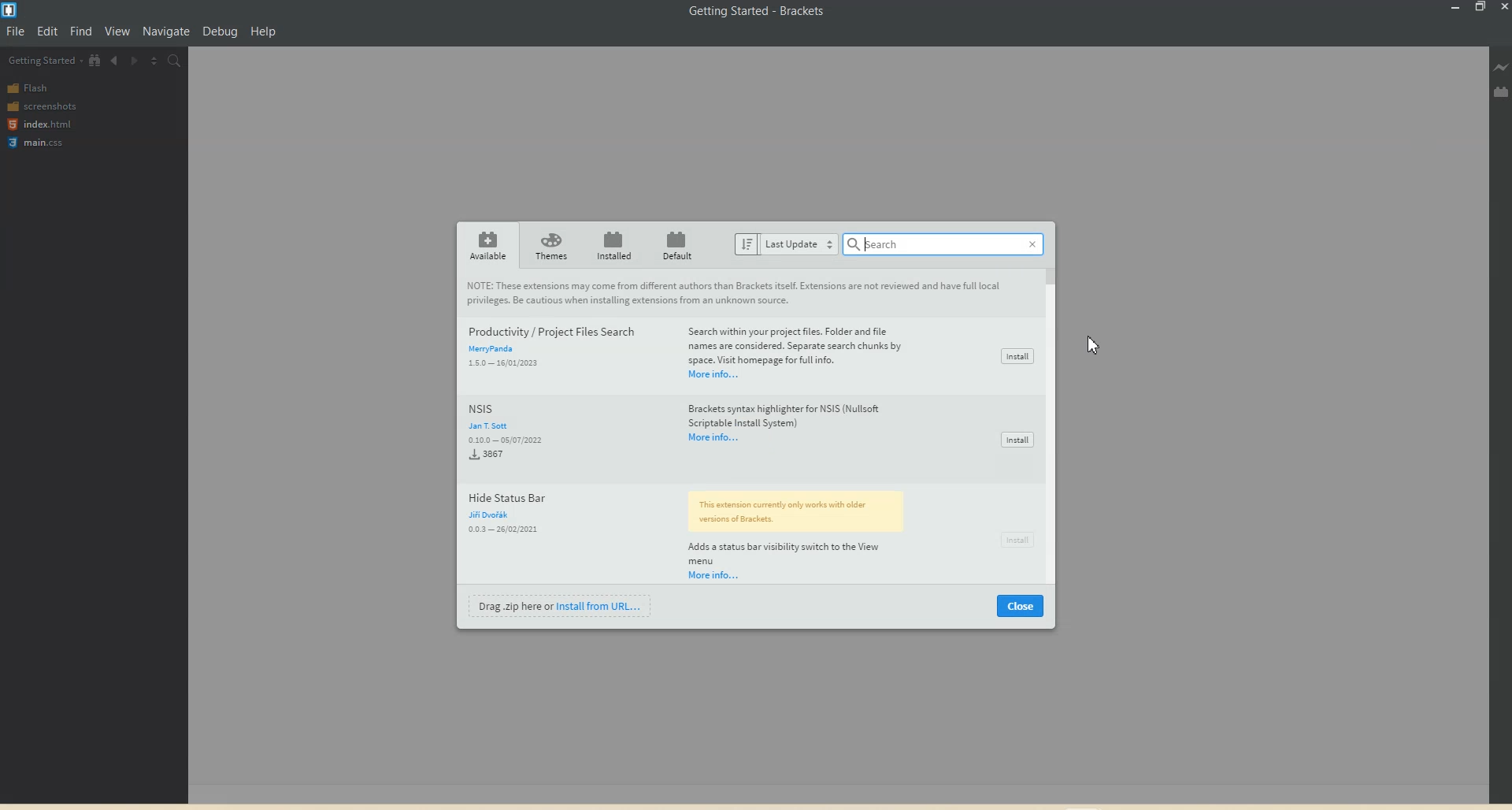  What do you see at coordinates (1095, 344) in the screenshot?
I see `Cursor` at bounding box center [1095, 344].